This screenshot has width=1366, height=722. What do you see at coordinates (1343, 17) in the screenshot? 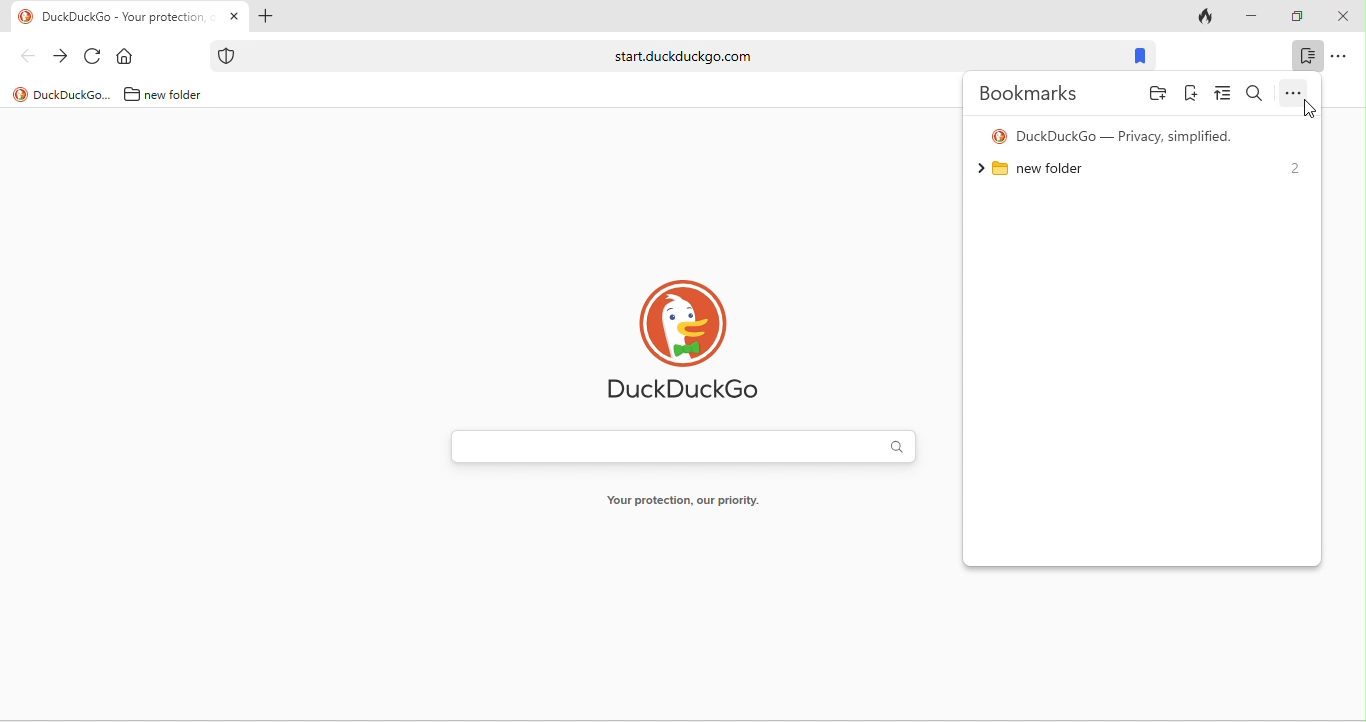
I see `close` at bounding box center [1343, 17].